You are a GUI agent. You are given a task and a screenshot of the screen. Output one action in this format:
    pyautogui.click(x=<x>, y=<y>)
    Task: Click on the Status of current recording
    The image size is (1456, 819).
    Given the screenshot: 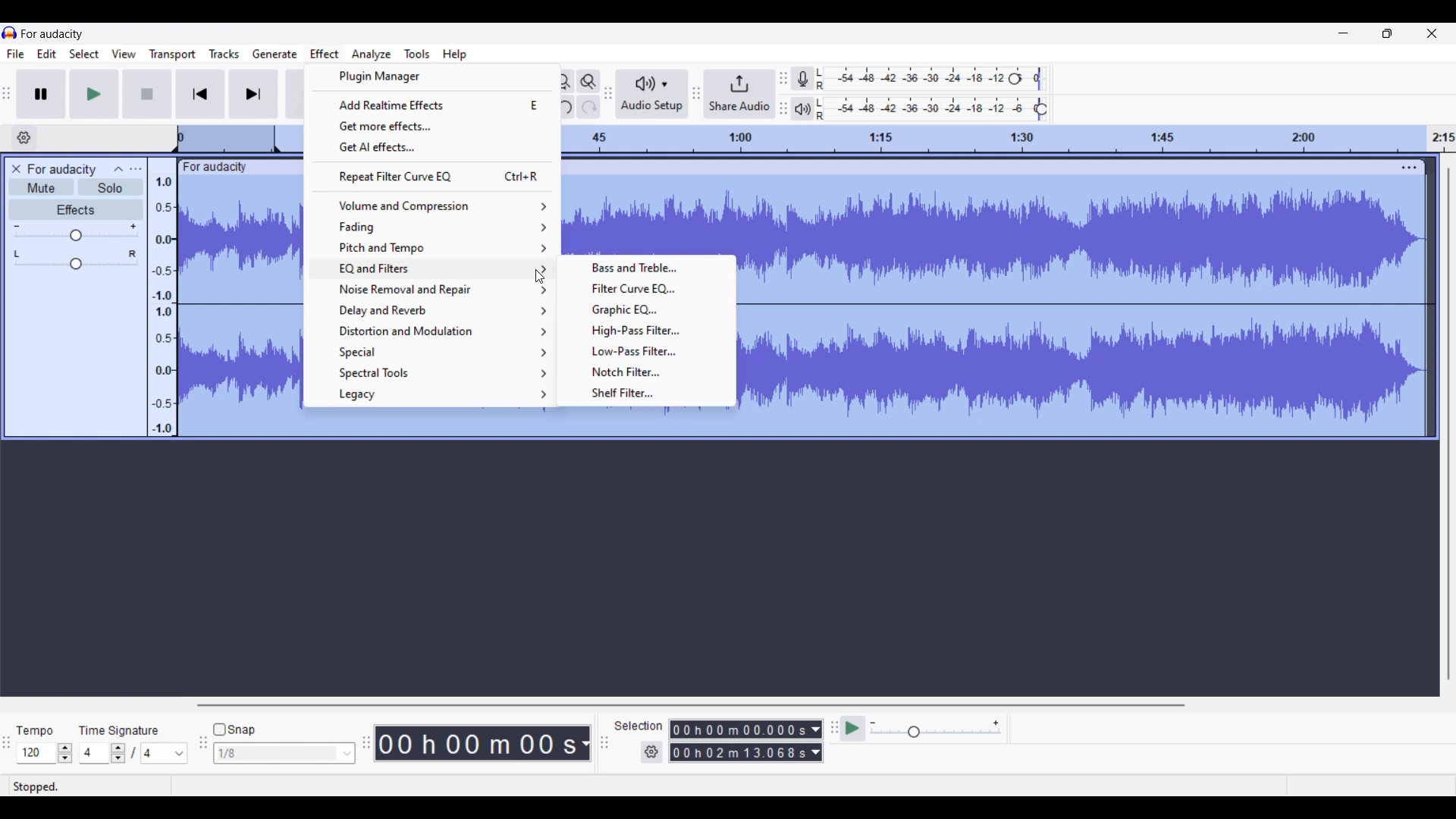 What is the action you would take?
    pyautogui.click(x=88, y=787)
    